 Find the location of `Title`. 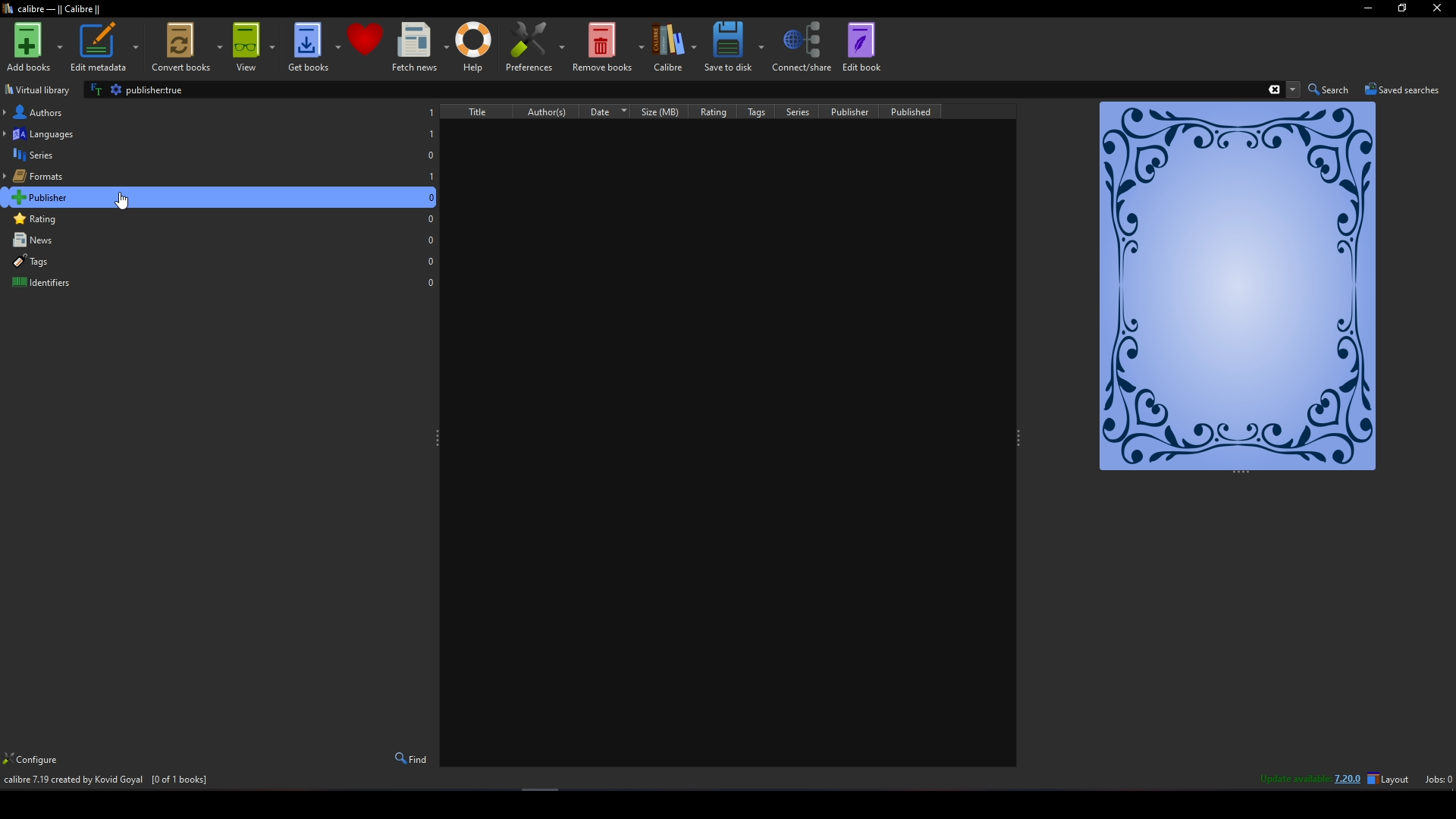

Title is located at coordinates (485, 111).